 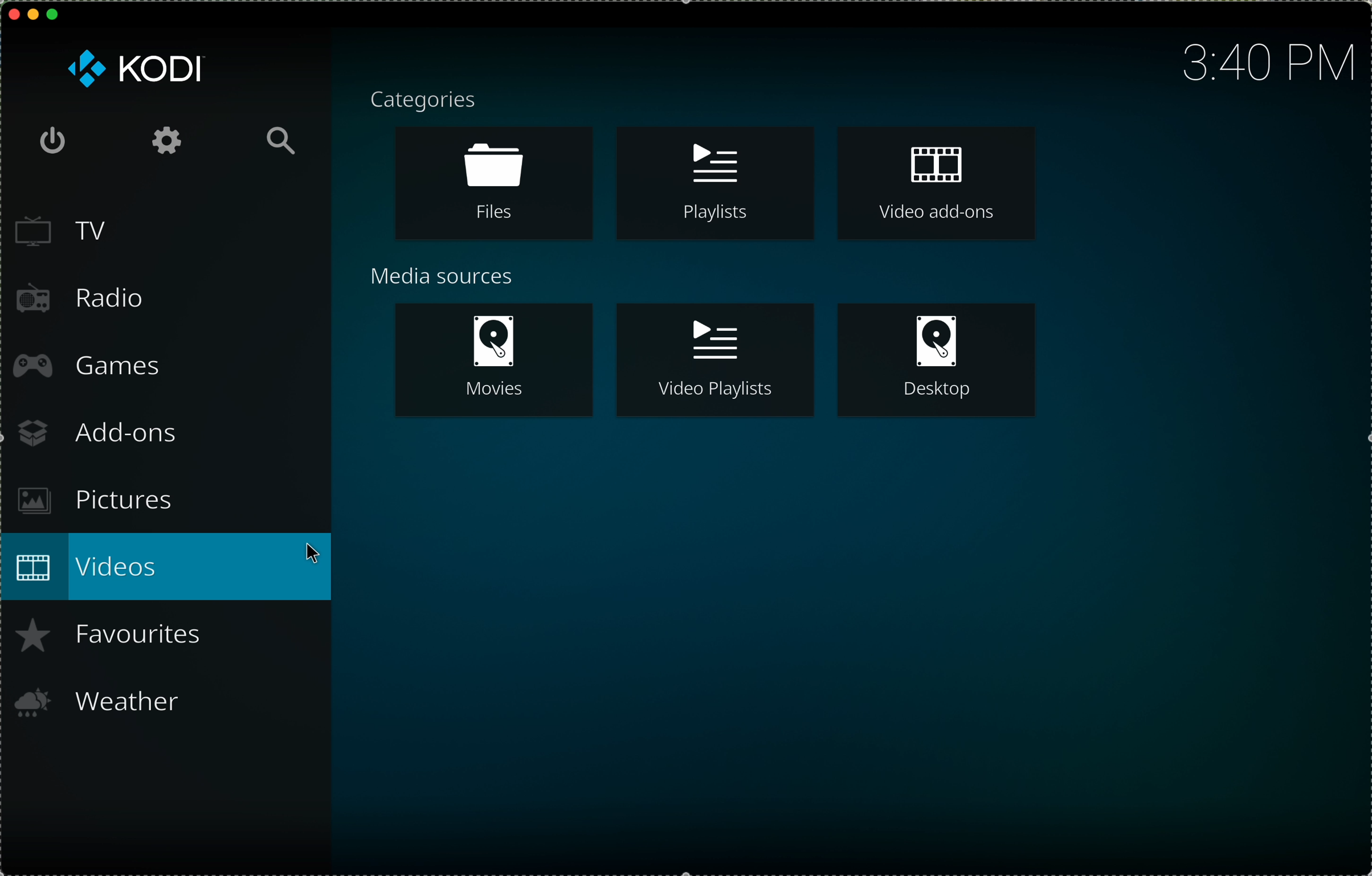 I want to click on media sources, so click(x=444, y=277).